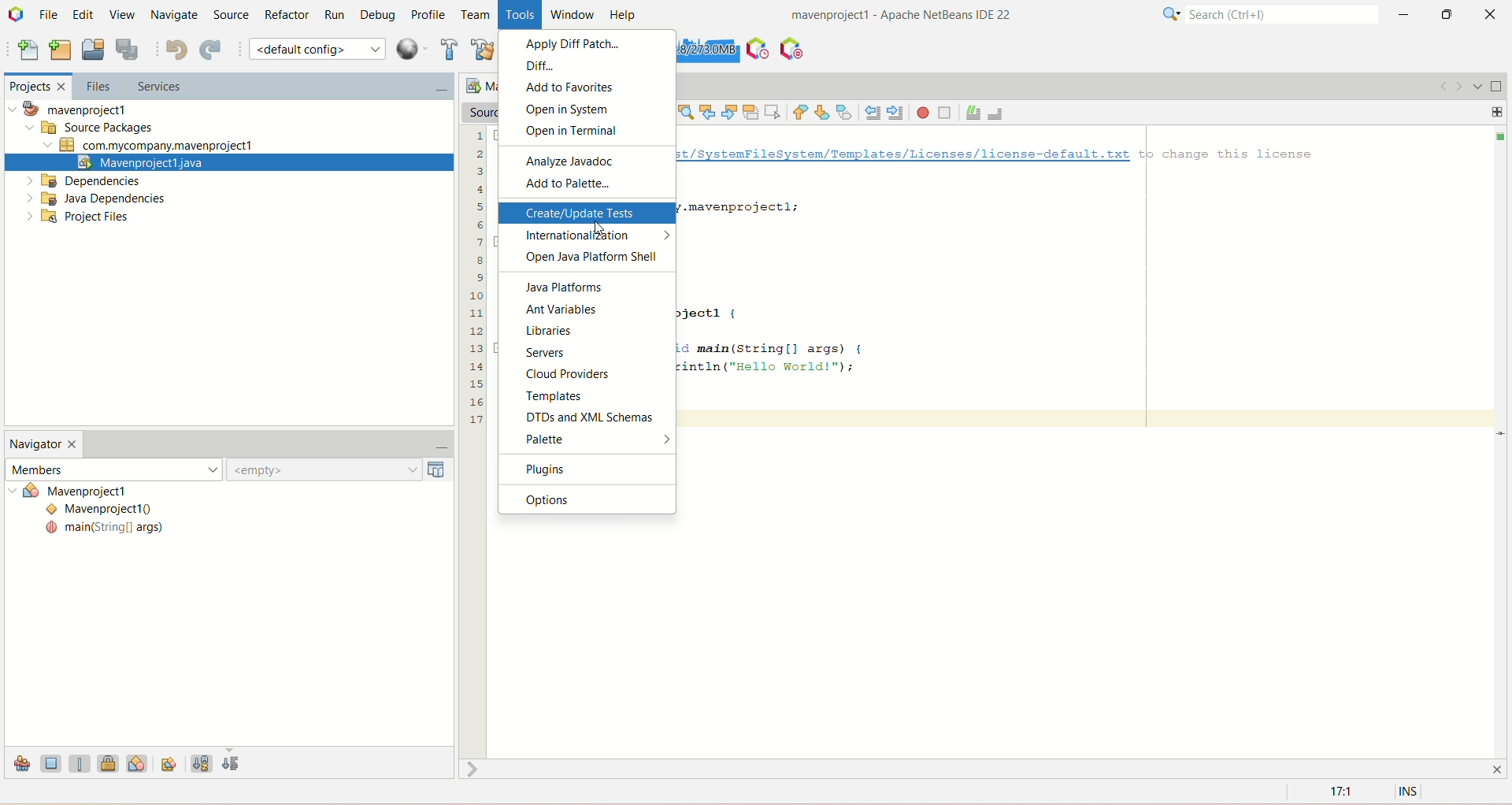 Image resolution: width=1512 pixels, height=805 pixels. What do you see at coordinates (83, 181) in the screenshot?
I see `dependencies` at bounding box center [83, 181].